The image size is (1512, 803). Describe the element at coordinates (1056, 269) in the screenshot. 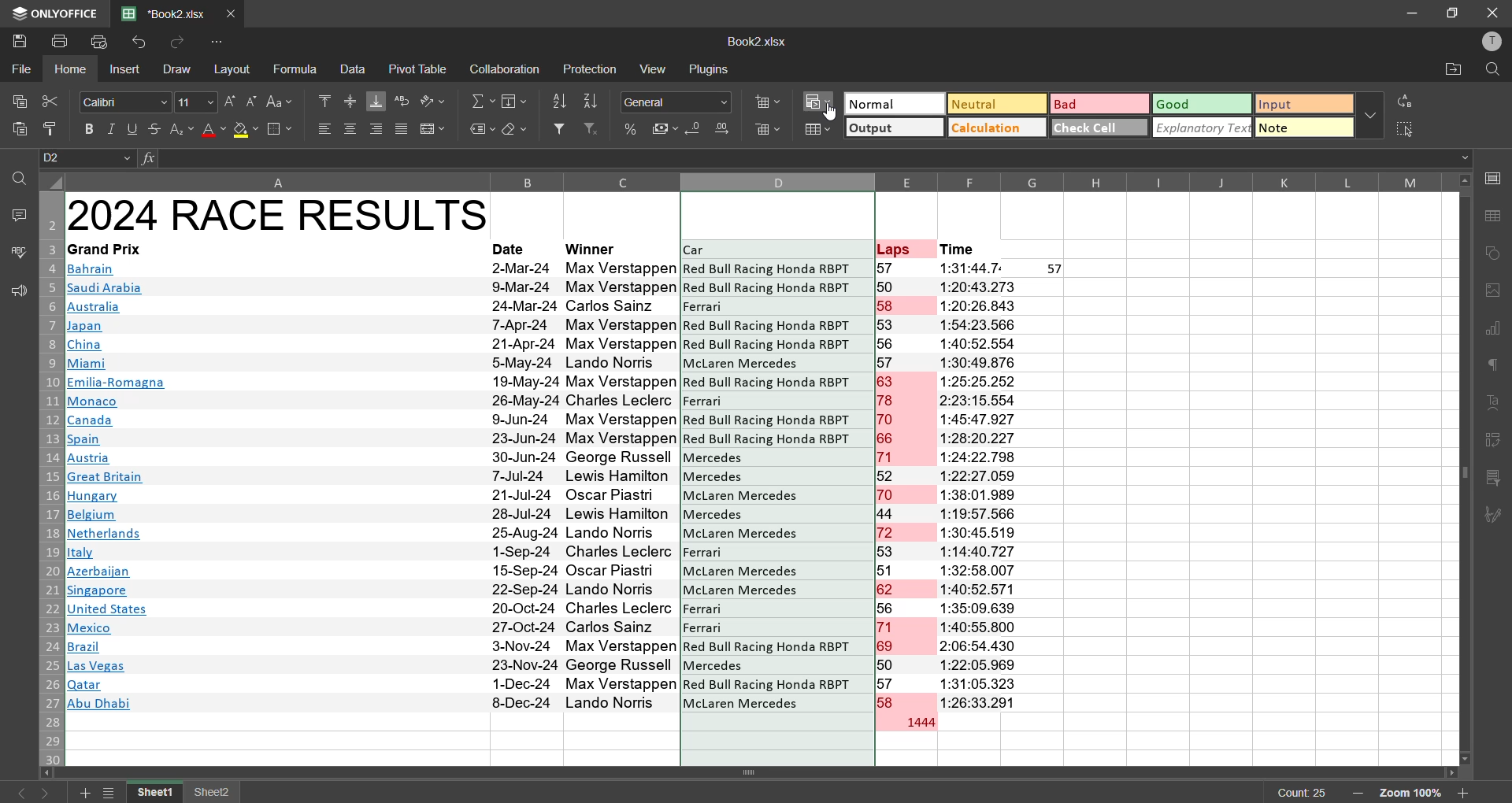

I see `57` at that location.